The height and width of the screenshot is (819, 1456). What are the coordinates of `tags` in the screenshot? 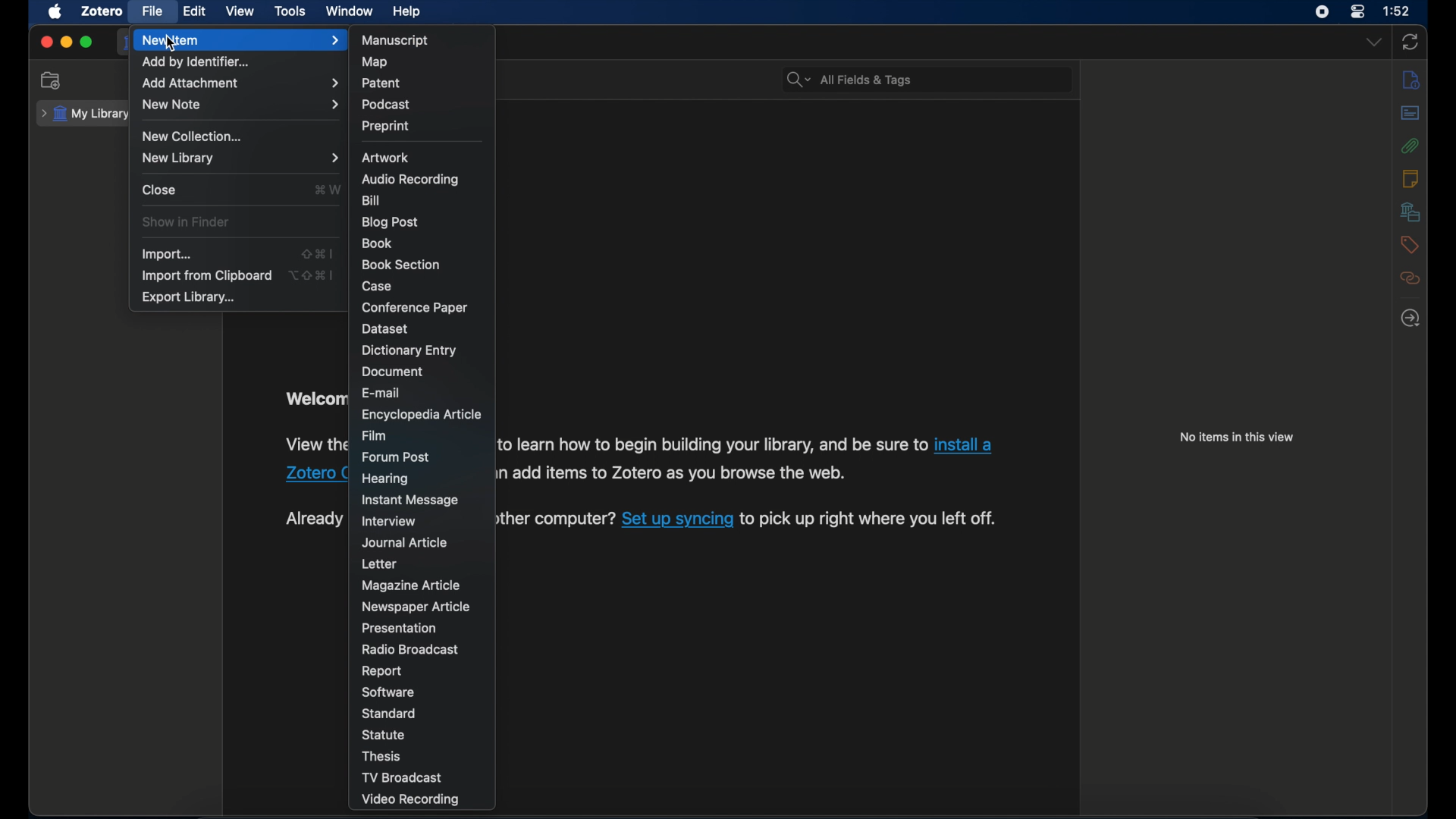 It's located at (1410, 245).